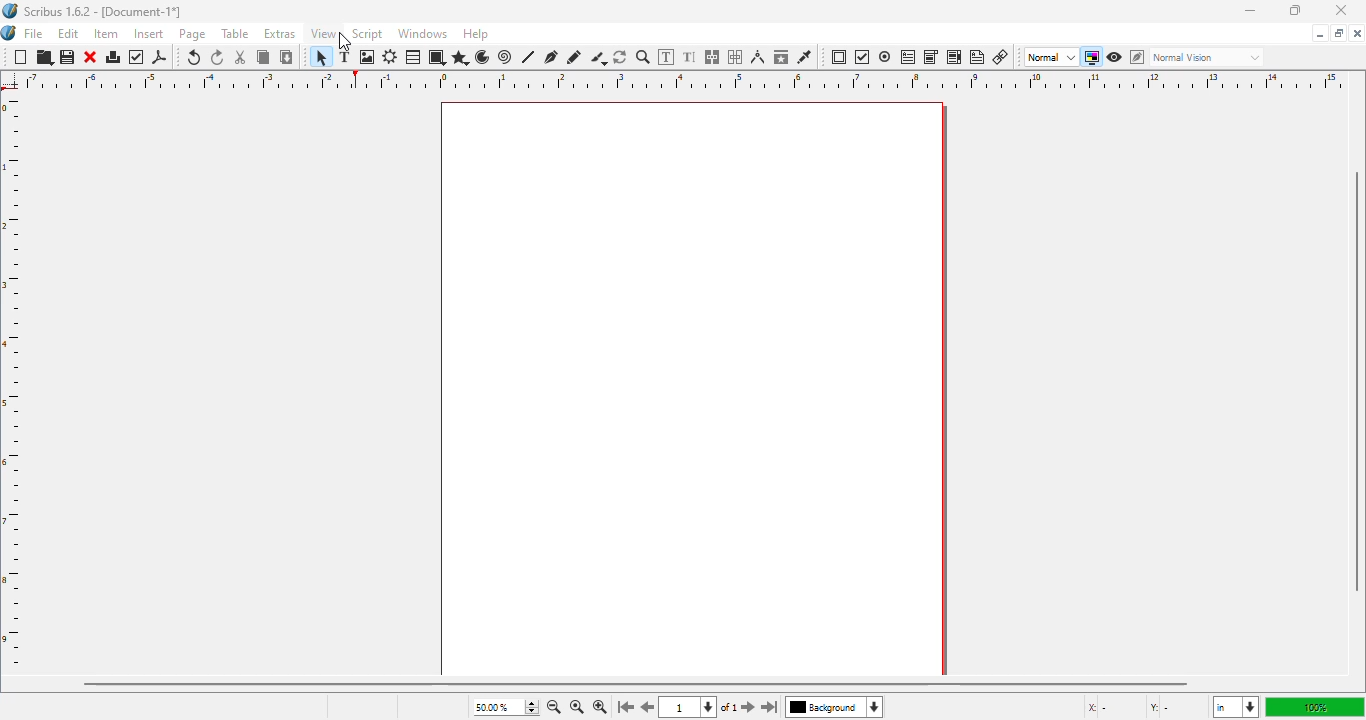  What do you see at coordinates (862, 58) in the screenshot?
I see `PDF check box` at bounding box center [862, 58].